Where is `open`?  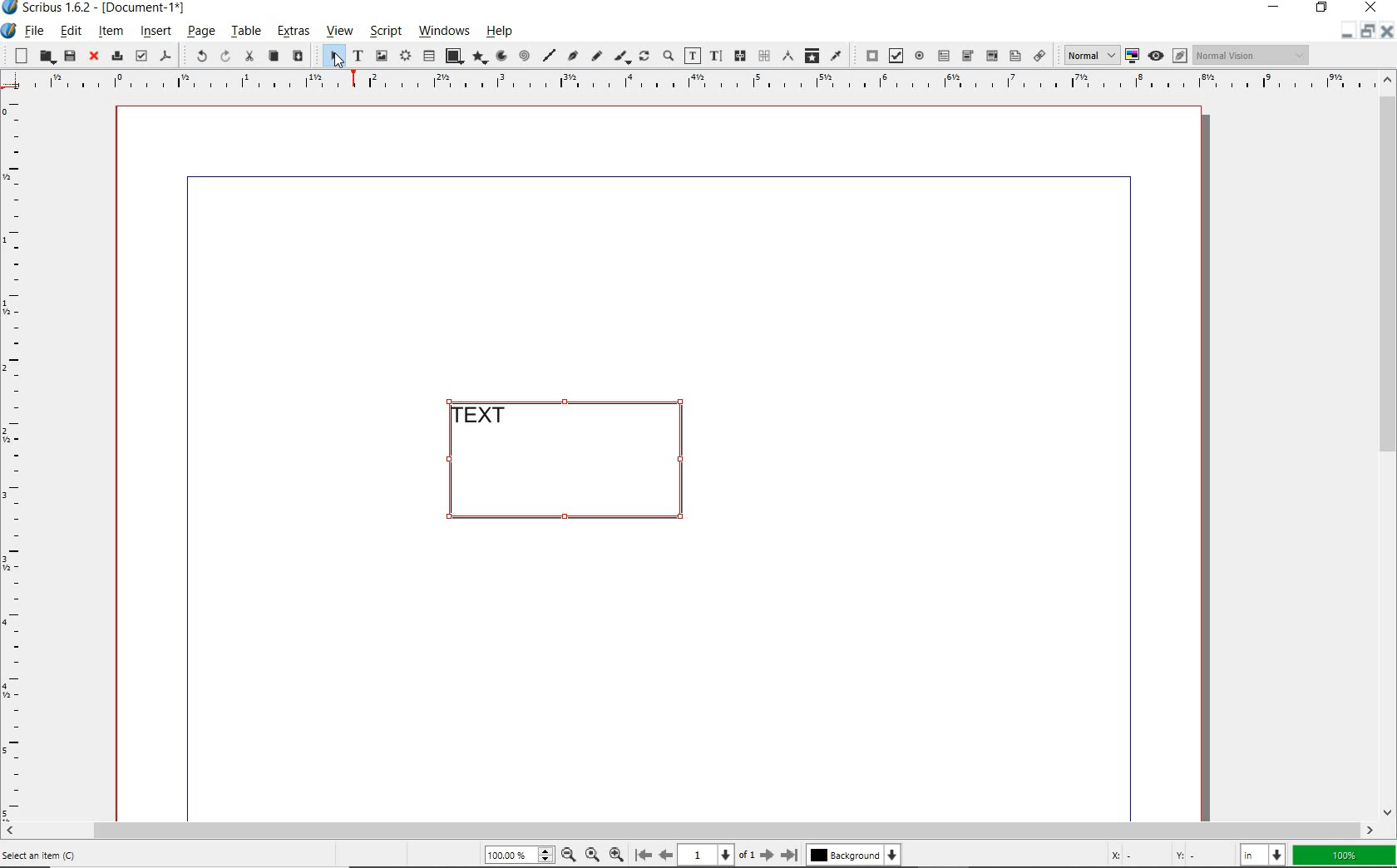 open is located at coordinates (45, 57).